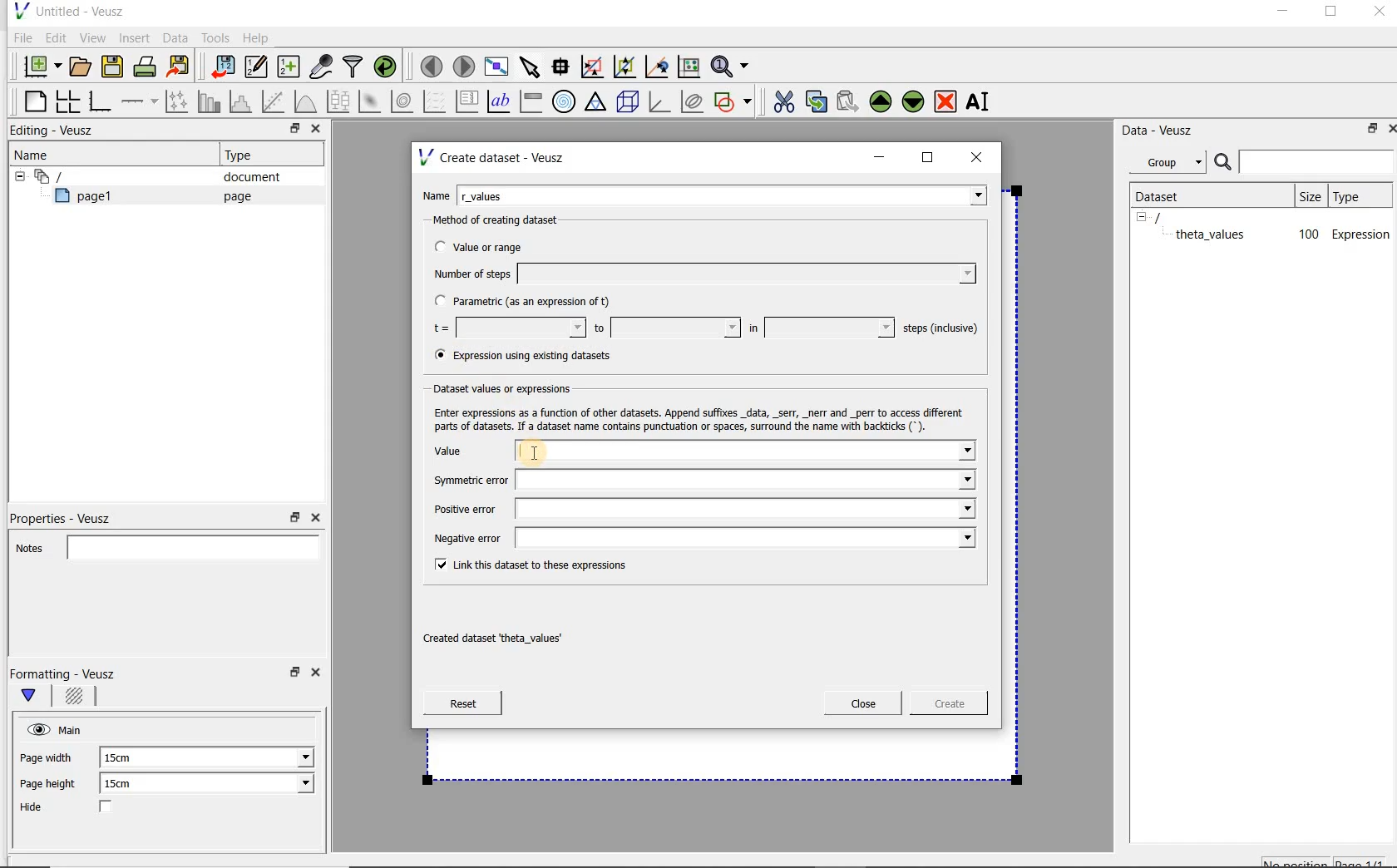 The height and width of the screenshot is (868, 1397). Describe the element at coordinates (36, 697) in the screenshot. I see `Main formatting` at that location.